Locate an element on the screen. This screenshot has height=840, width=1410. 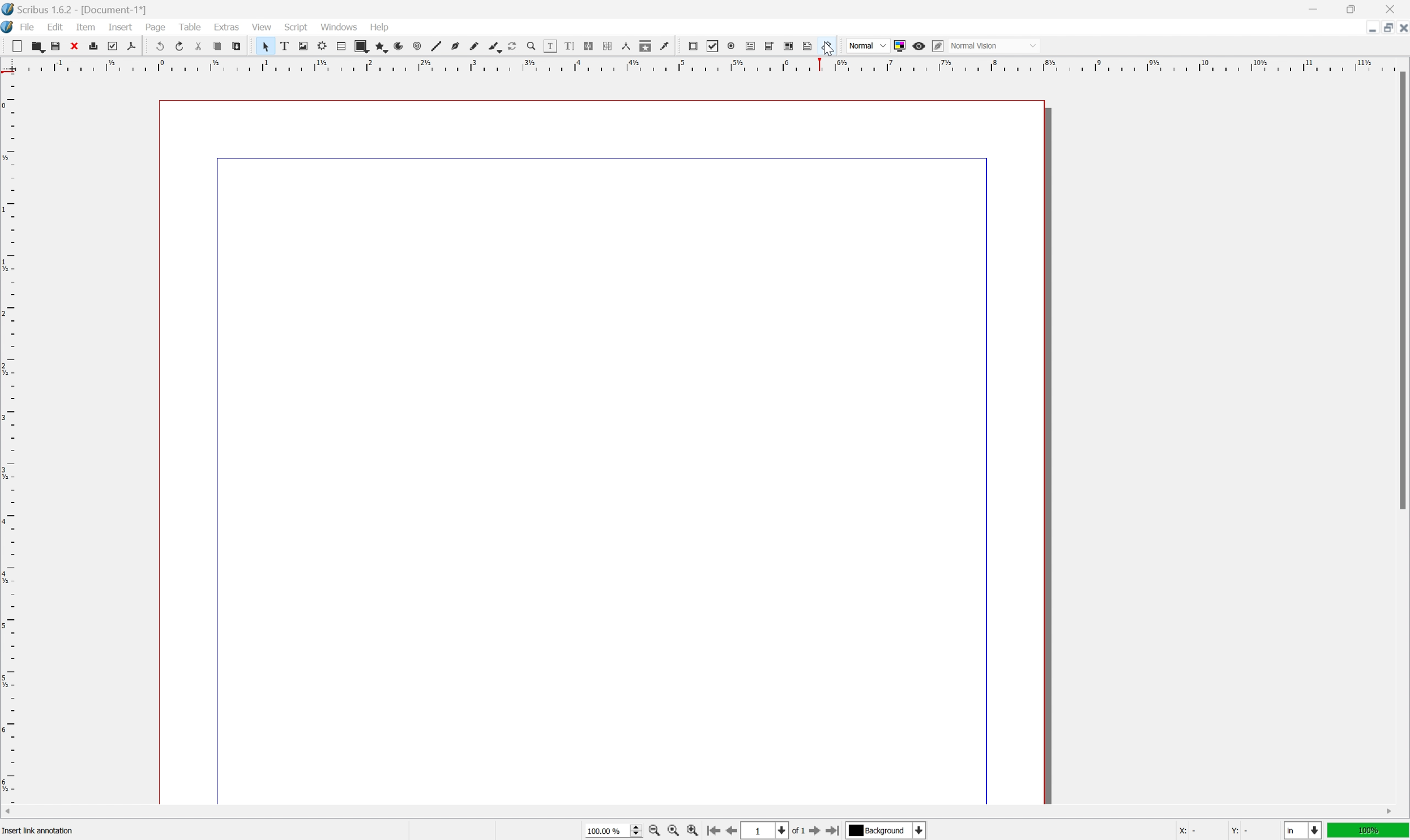
go to last page is located at coordinates (835, 830).